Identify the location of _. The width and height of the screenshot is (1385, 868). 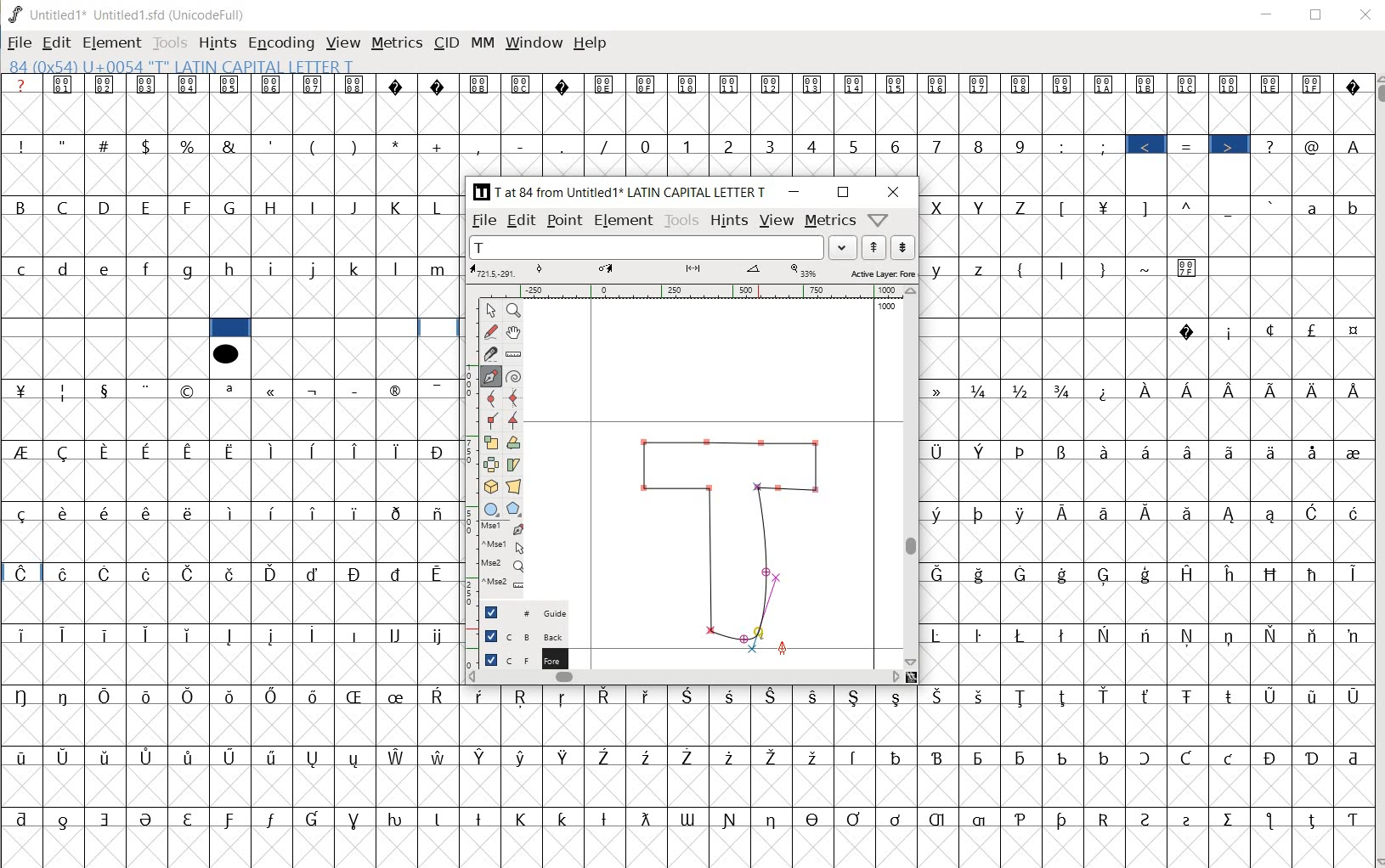
(1230, 208).